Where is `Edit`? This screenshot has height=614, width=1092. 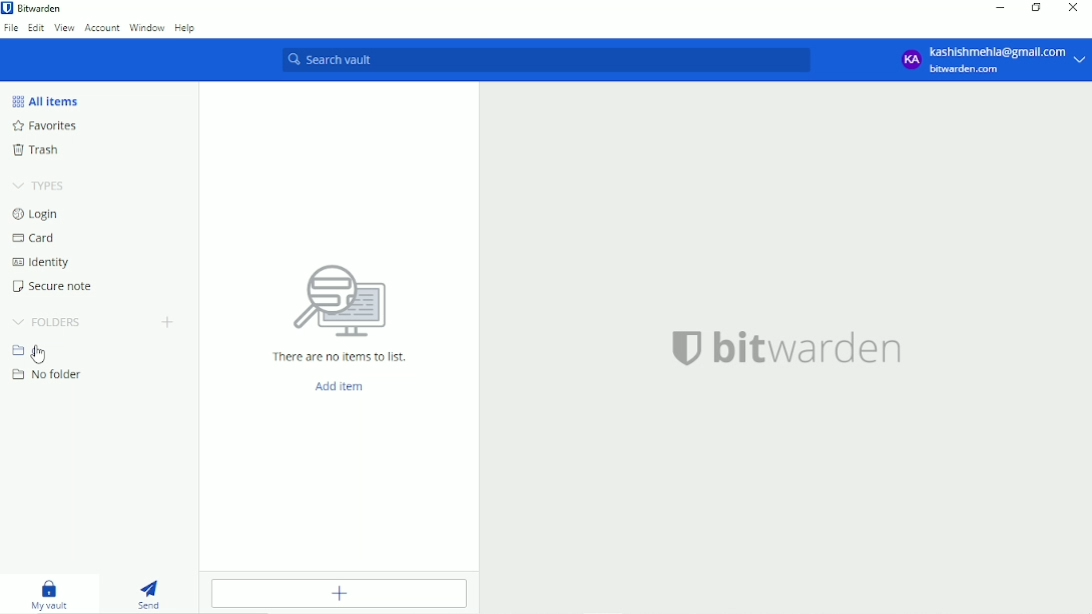
Edit is located at coordinates (37, 27).